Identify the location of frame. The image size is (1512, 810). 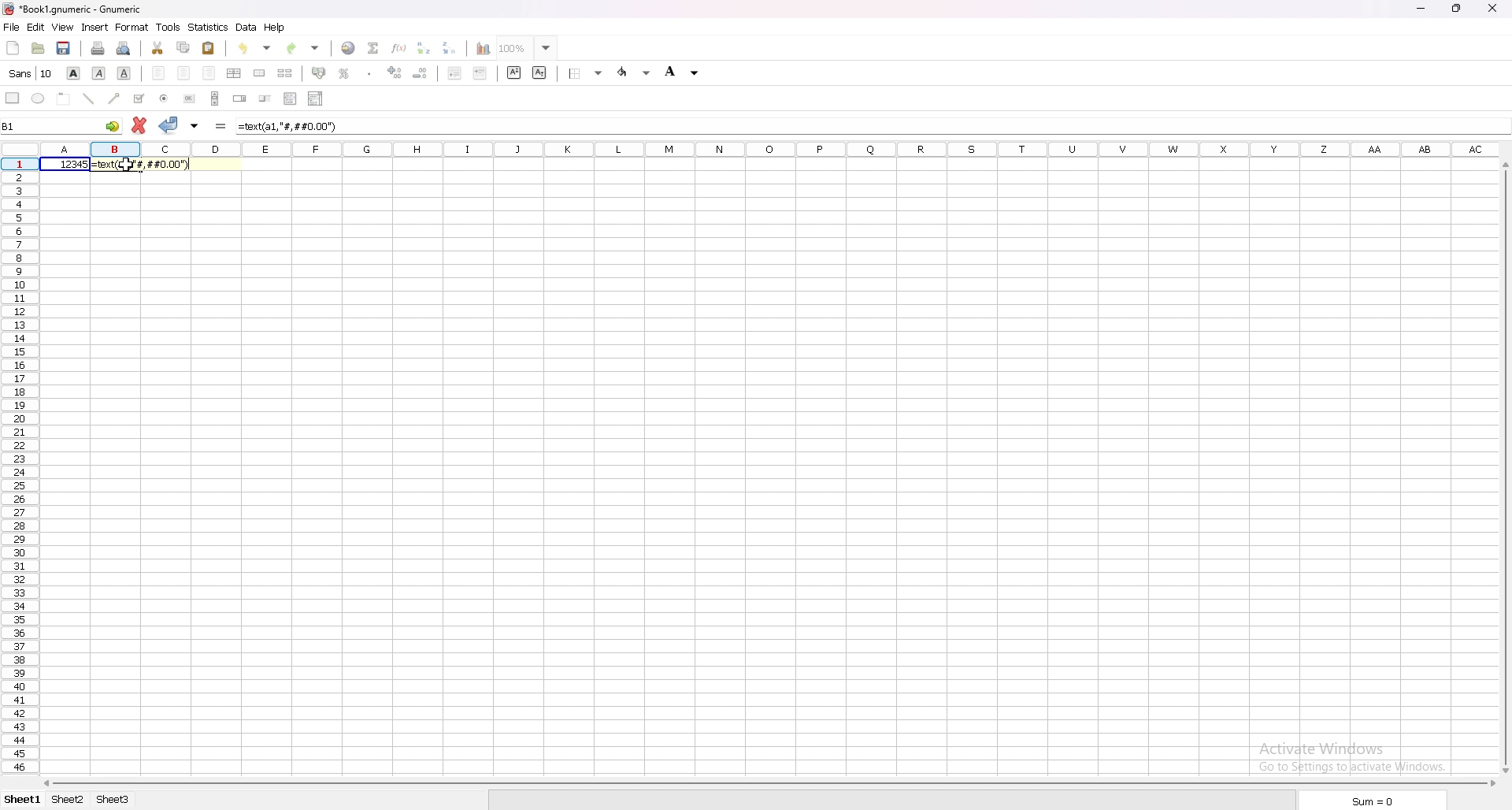
(64, 99).